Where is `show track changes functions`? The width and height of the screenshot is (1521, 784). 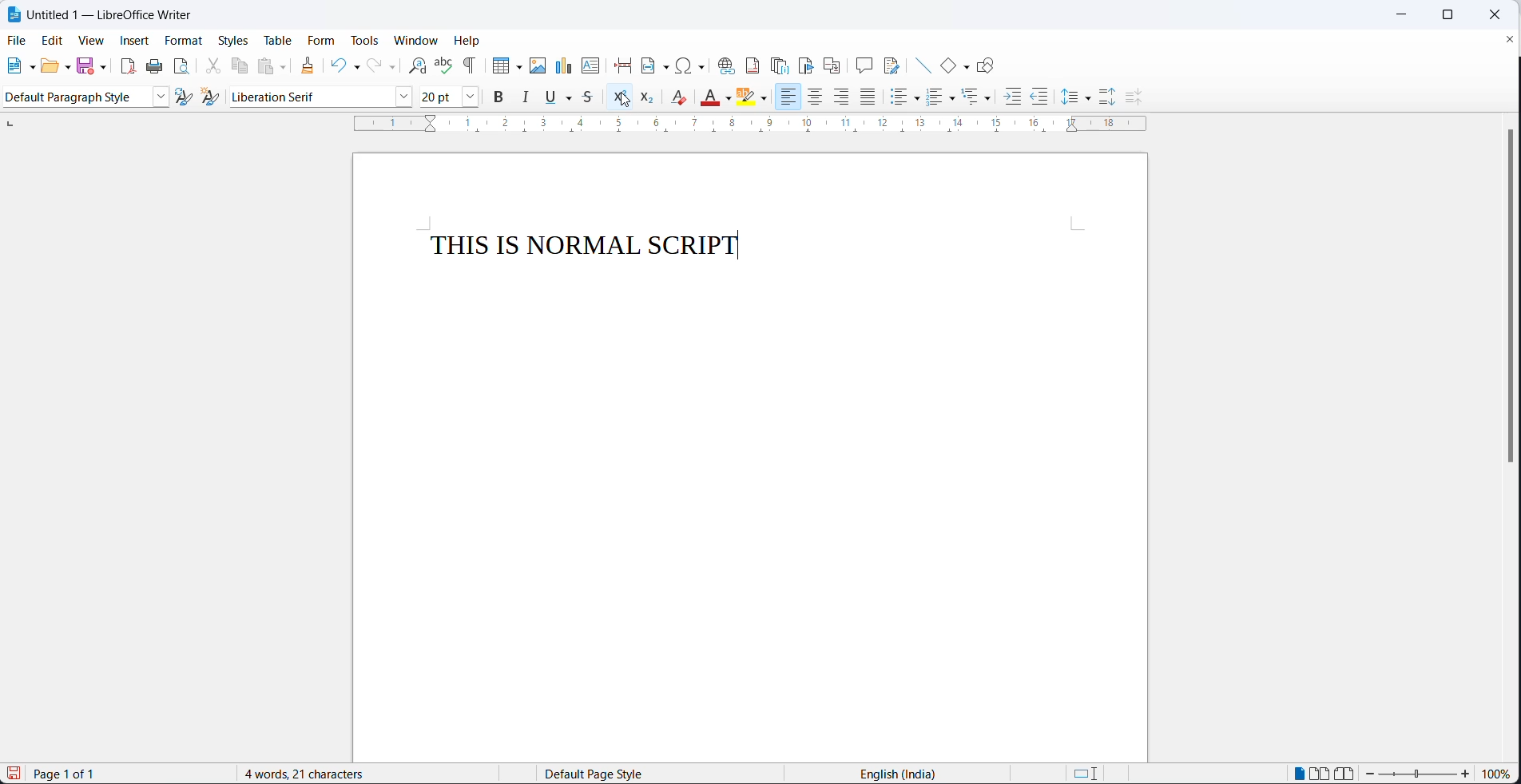 show track changes functions is located at coordinates (894, 63).